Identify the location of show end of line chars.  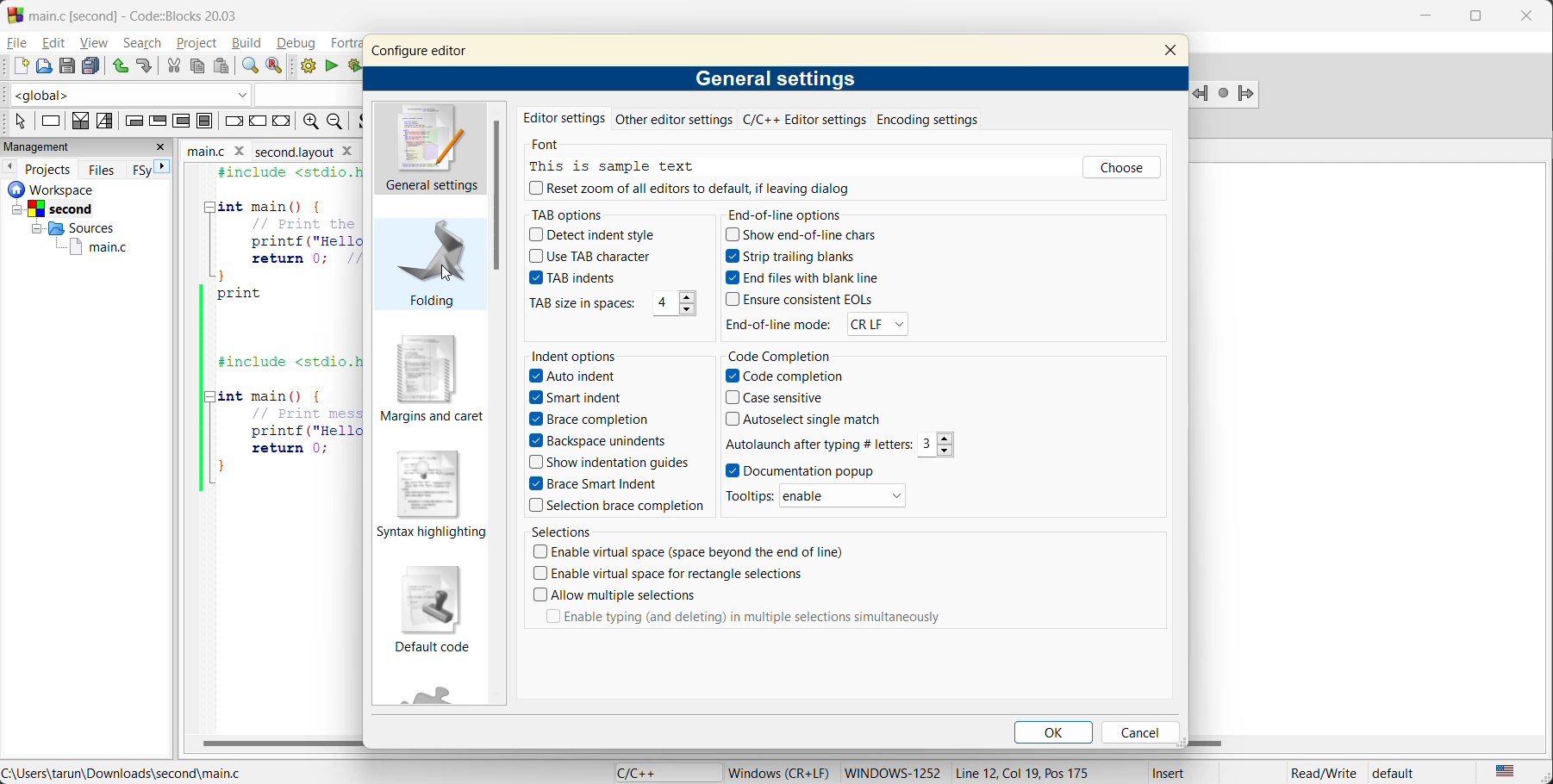
(807, 233).